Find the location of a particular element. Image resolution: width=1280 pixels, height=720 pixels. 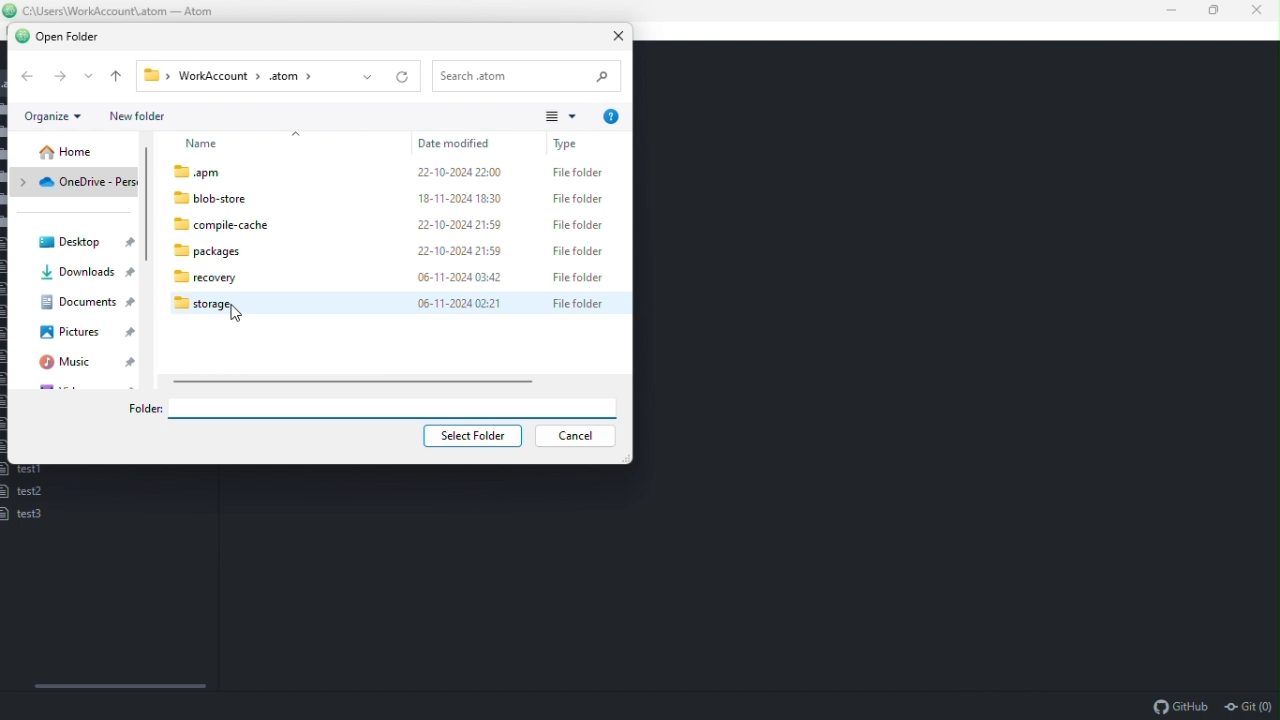

moue on storage is located at coordinates (393, 303).